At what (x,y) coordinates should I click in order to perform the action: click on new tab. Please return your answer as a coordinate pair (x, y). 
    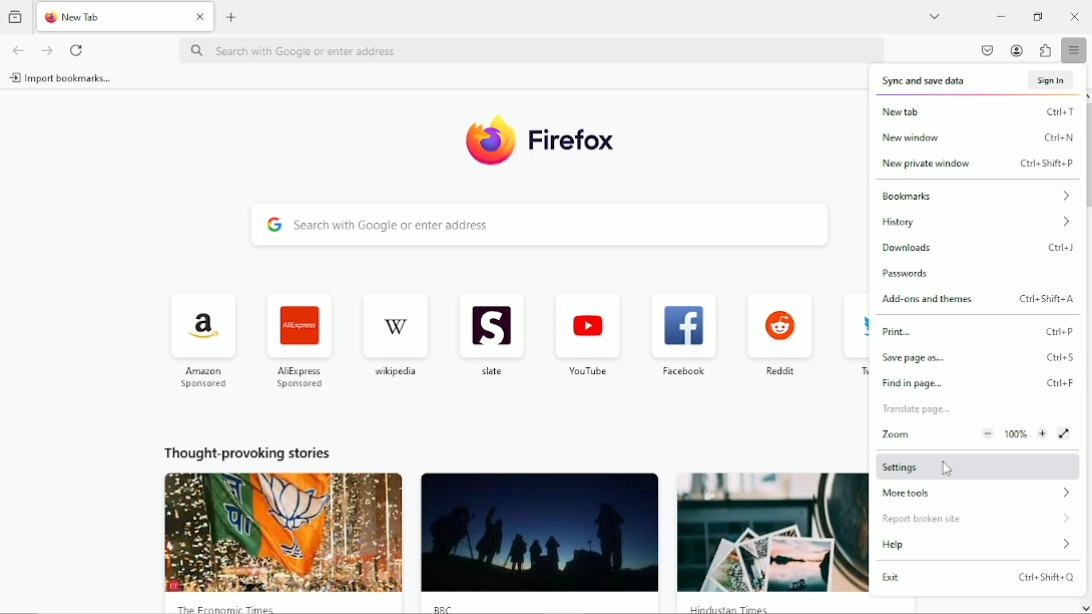
    Looking at the image, I should click on (946, 111).